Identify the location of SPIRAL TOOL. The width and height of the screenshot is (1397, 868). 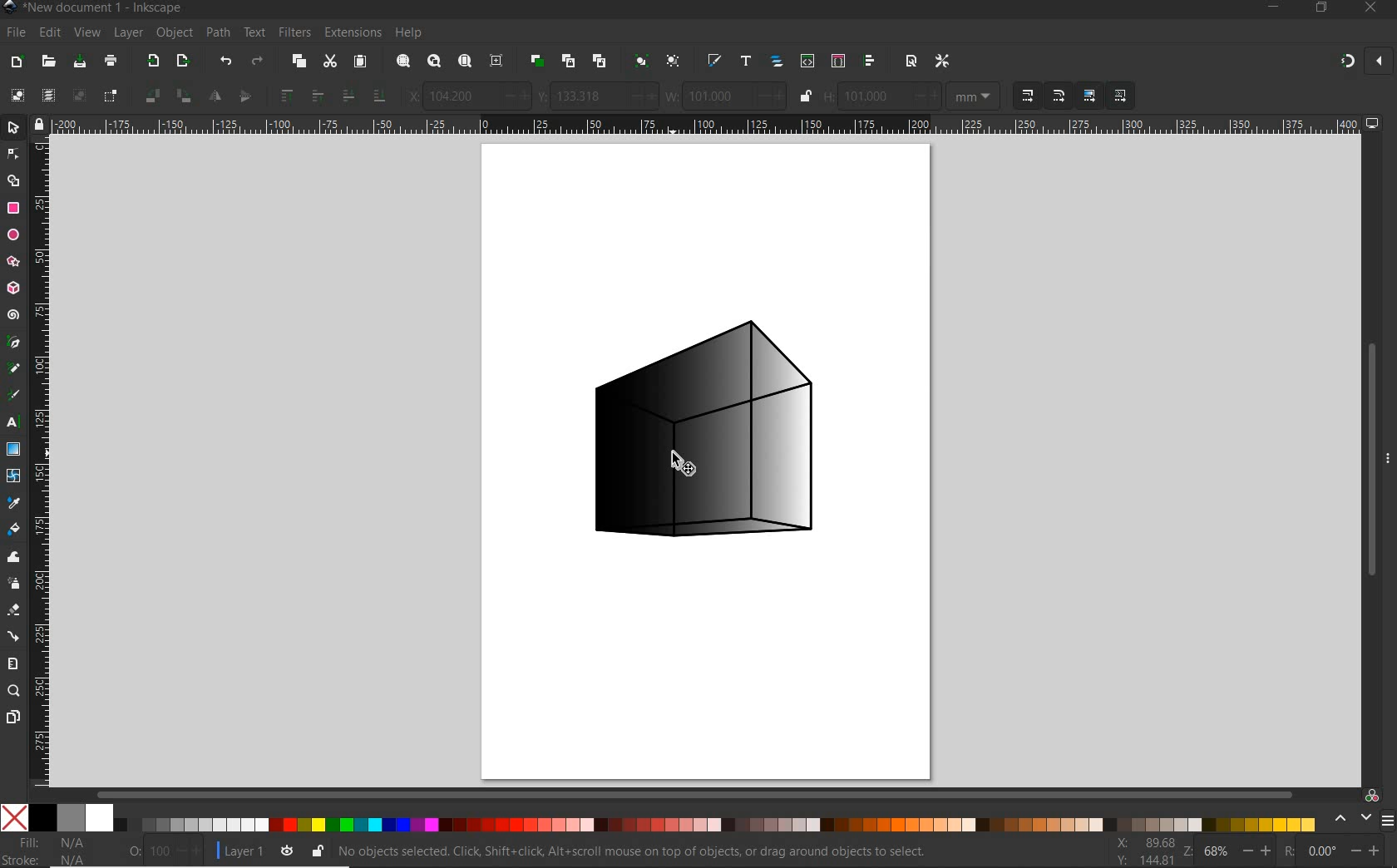
(15, 315).